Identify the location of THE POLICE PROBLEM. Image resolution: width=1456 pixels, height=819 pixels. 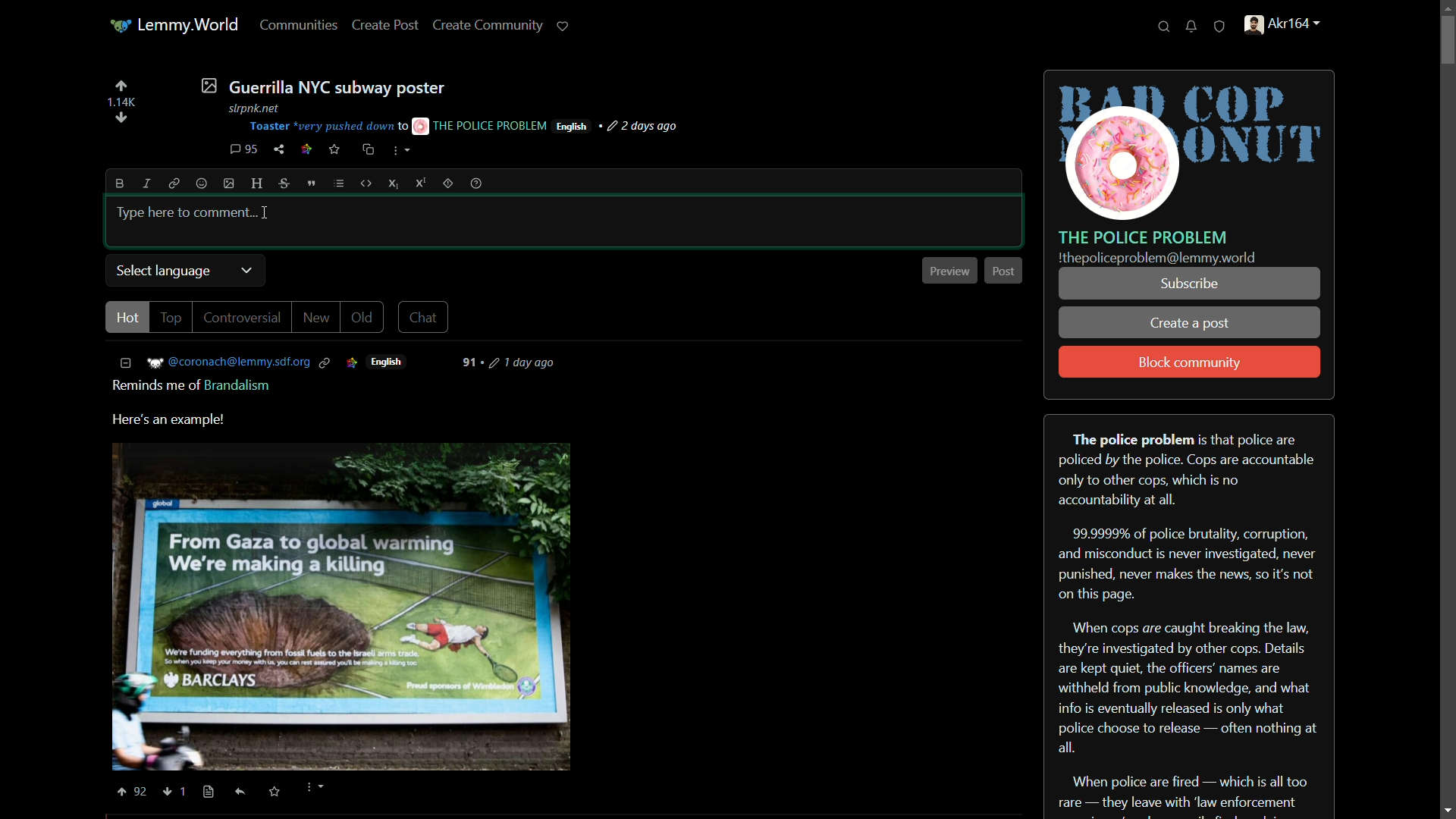
(481, 125).